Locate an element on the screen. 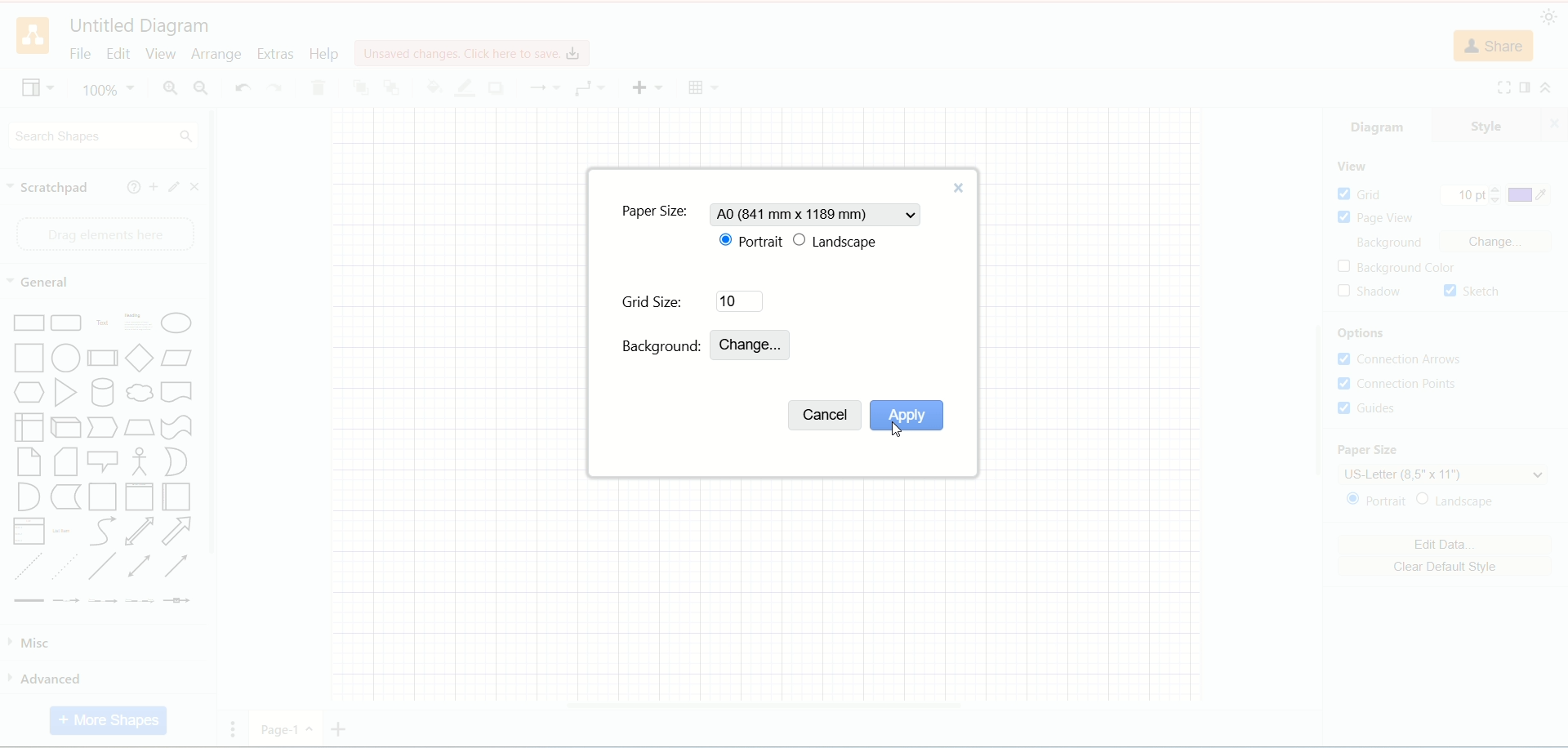 The height and width of the screenshot is (748, 1568). Stick Figure is located at coordinates (139, 462).